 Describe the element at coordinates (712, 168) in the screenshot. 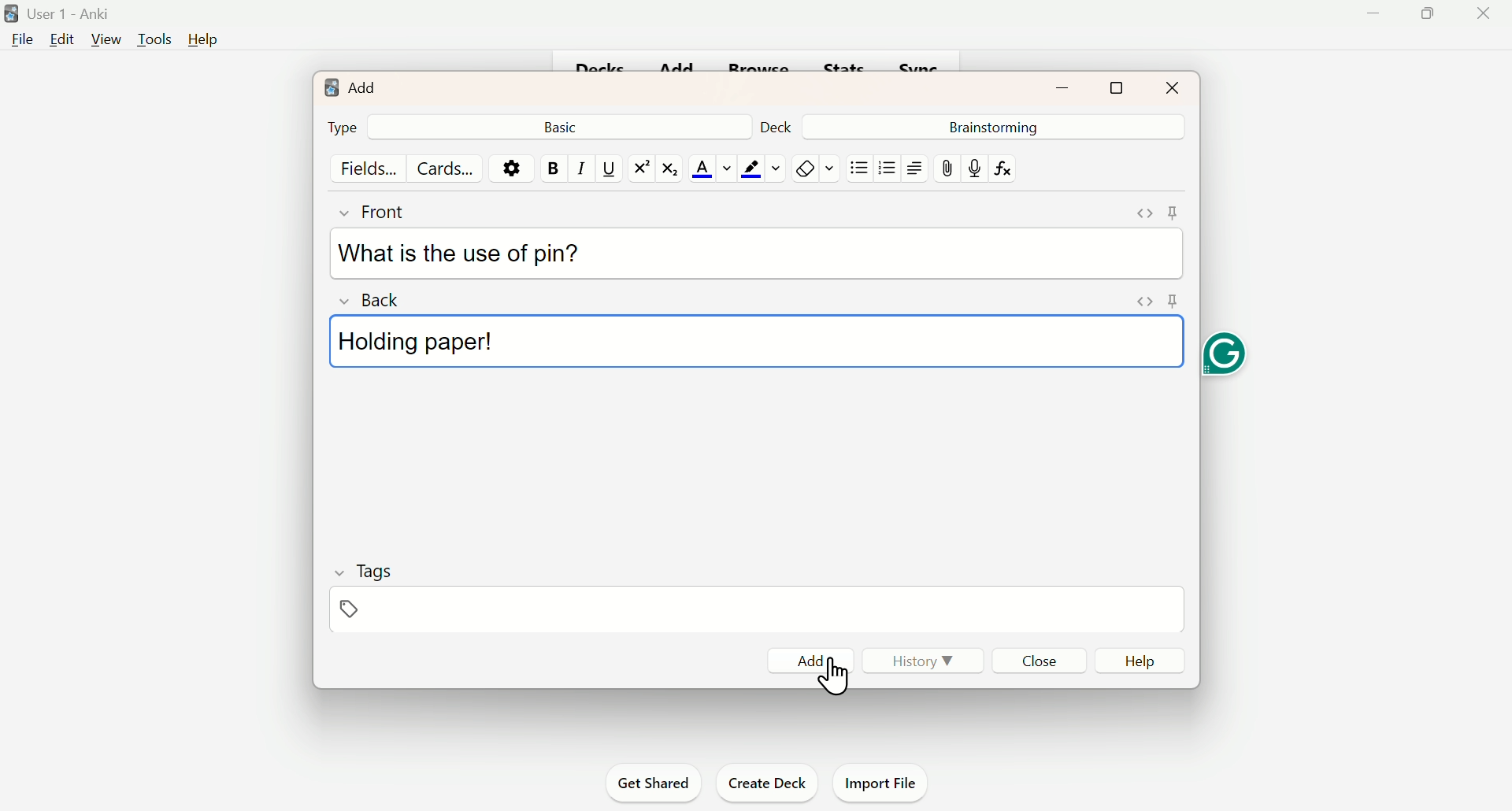

I see `Text color` at that location.